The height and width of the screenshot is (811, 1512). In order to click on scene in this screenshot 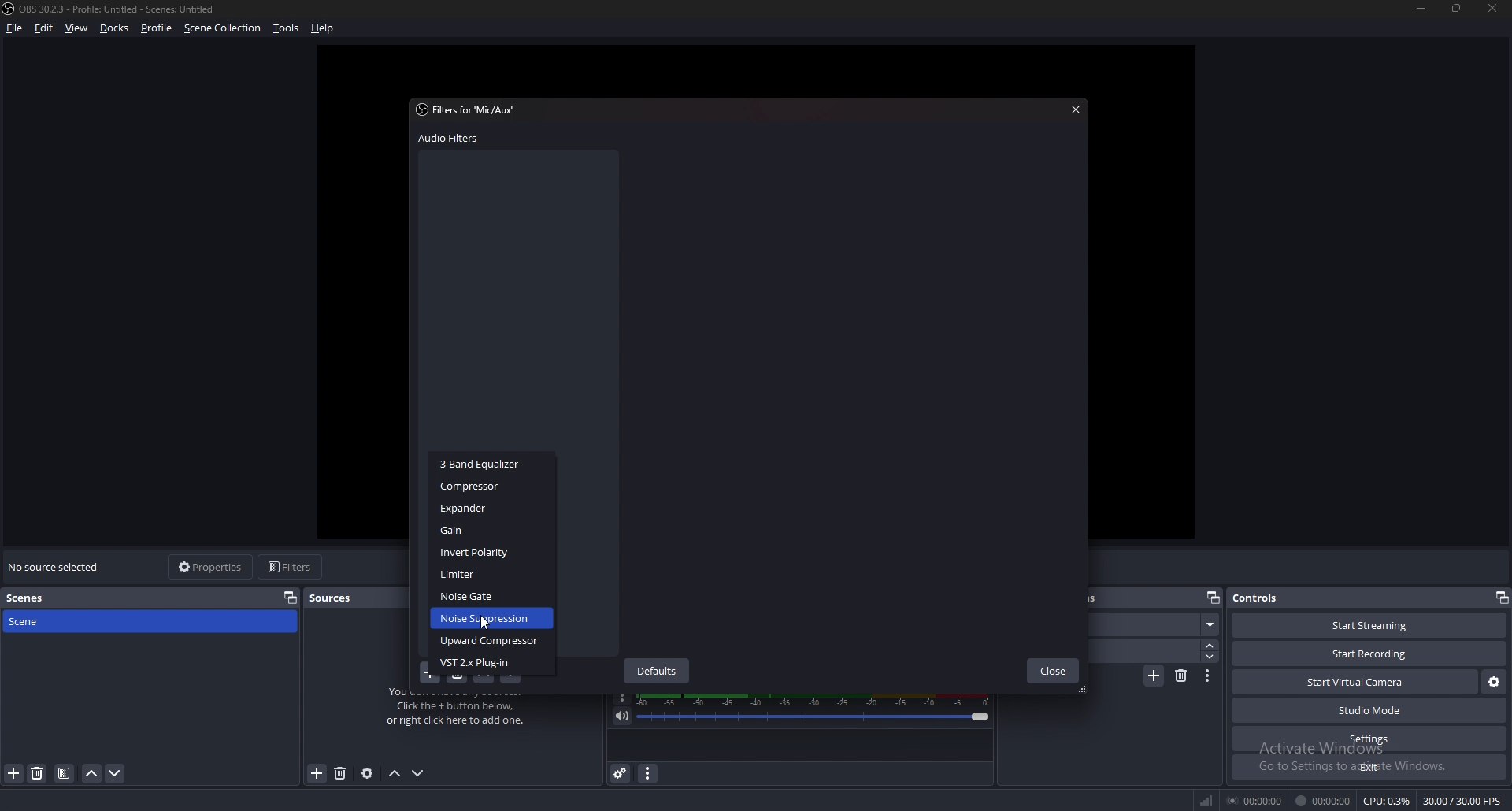, I will do `click(1156, 624)`.